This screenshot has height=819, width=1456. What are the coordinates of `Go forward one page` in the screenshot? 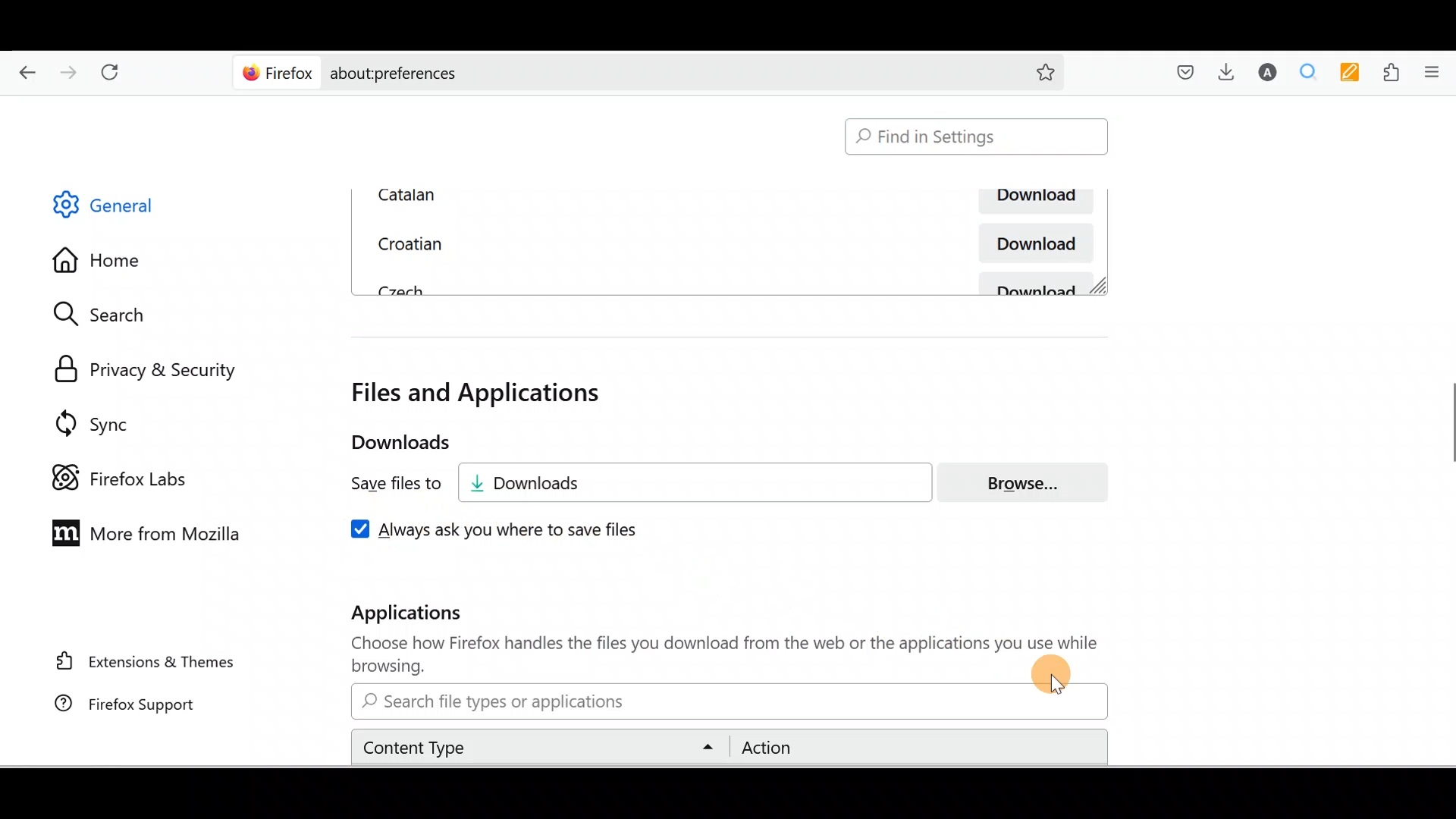 It's located at (71, 75).